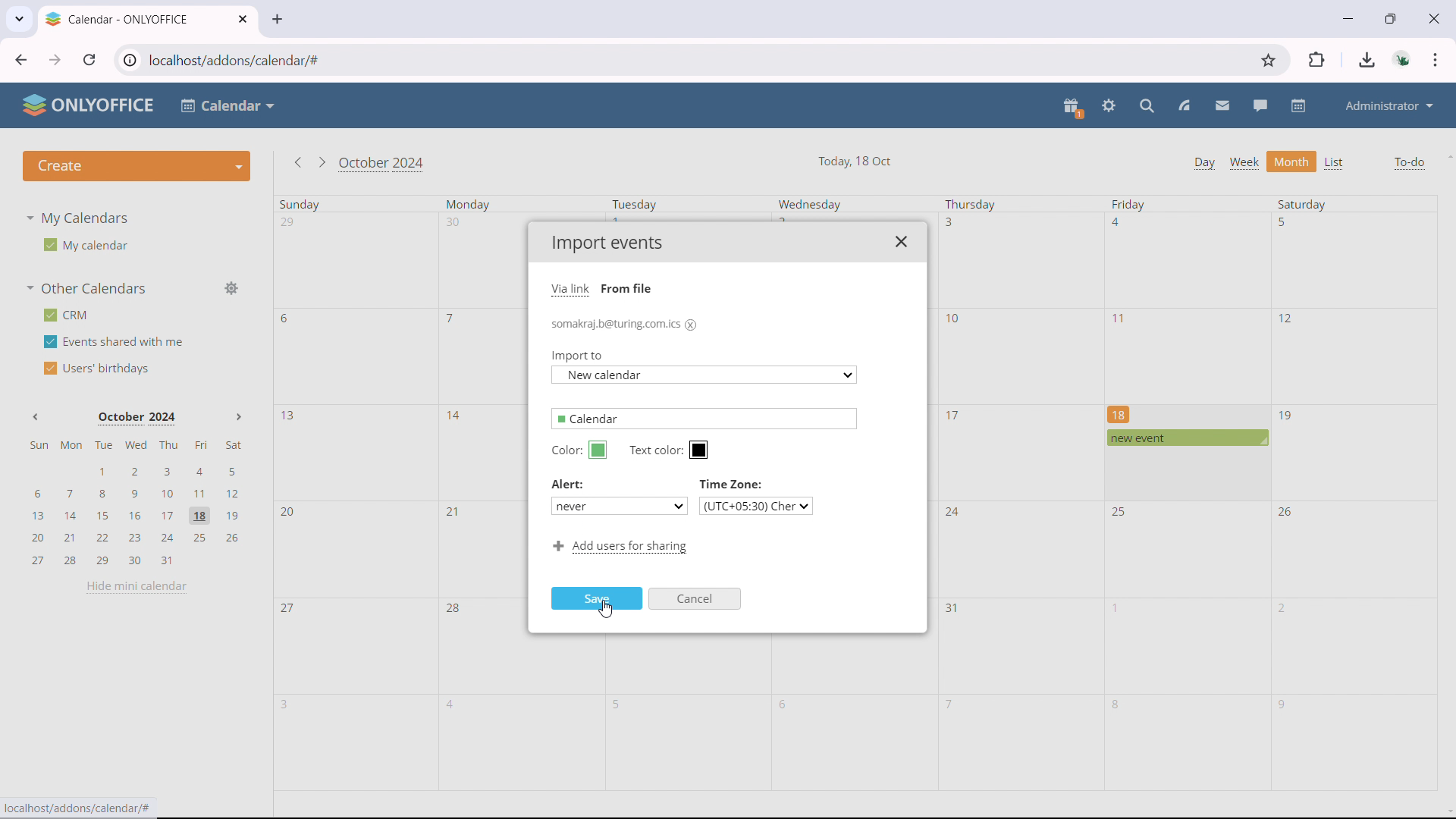  What do you see at coordinates (231, 289) in the screenshot?
I see `manage` at bounding box center [231, 289].